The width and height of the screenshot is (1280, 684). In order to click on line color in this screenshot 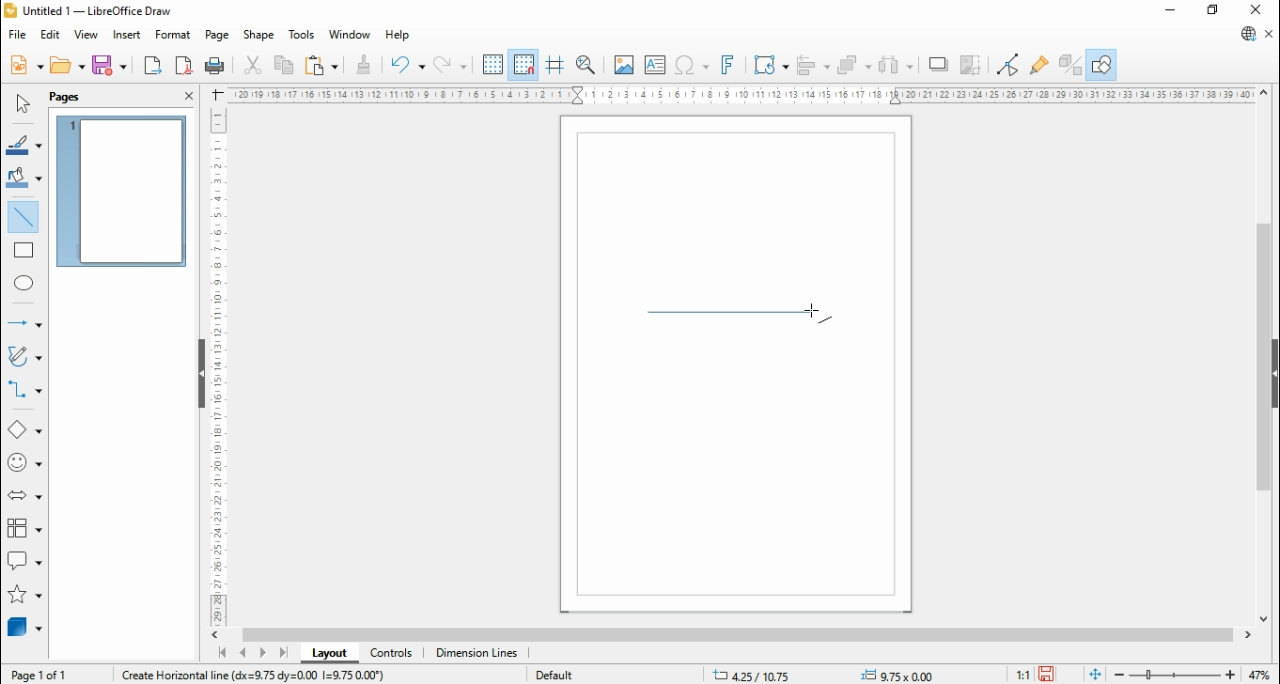, I will do `click(24, 145)`.